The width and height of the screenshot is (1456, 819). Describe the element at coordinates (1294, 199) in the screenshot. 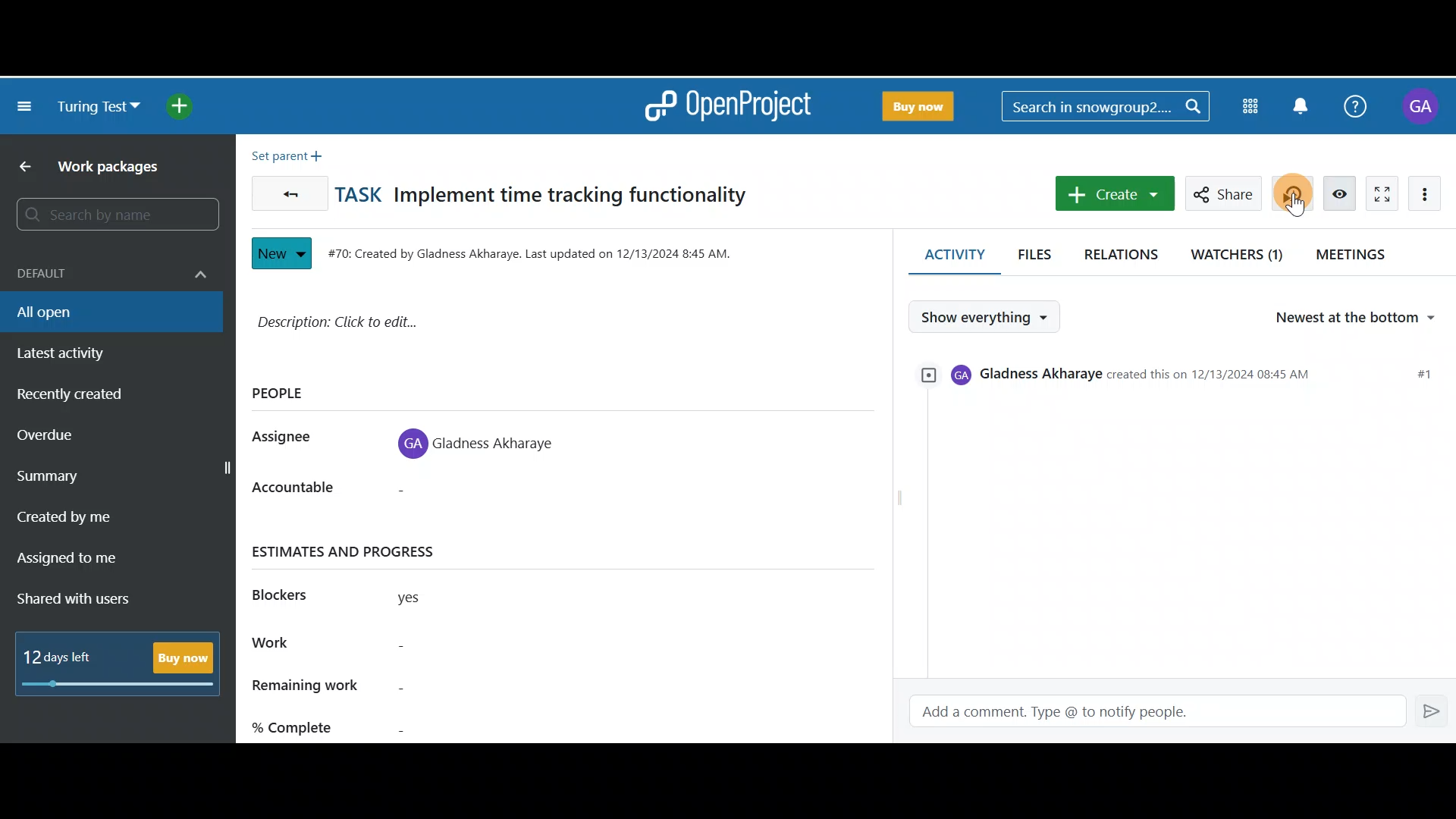

I see `Cursor on Start new timer` at that location.